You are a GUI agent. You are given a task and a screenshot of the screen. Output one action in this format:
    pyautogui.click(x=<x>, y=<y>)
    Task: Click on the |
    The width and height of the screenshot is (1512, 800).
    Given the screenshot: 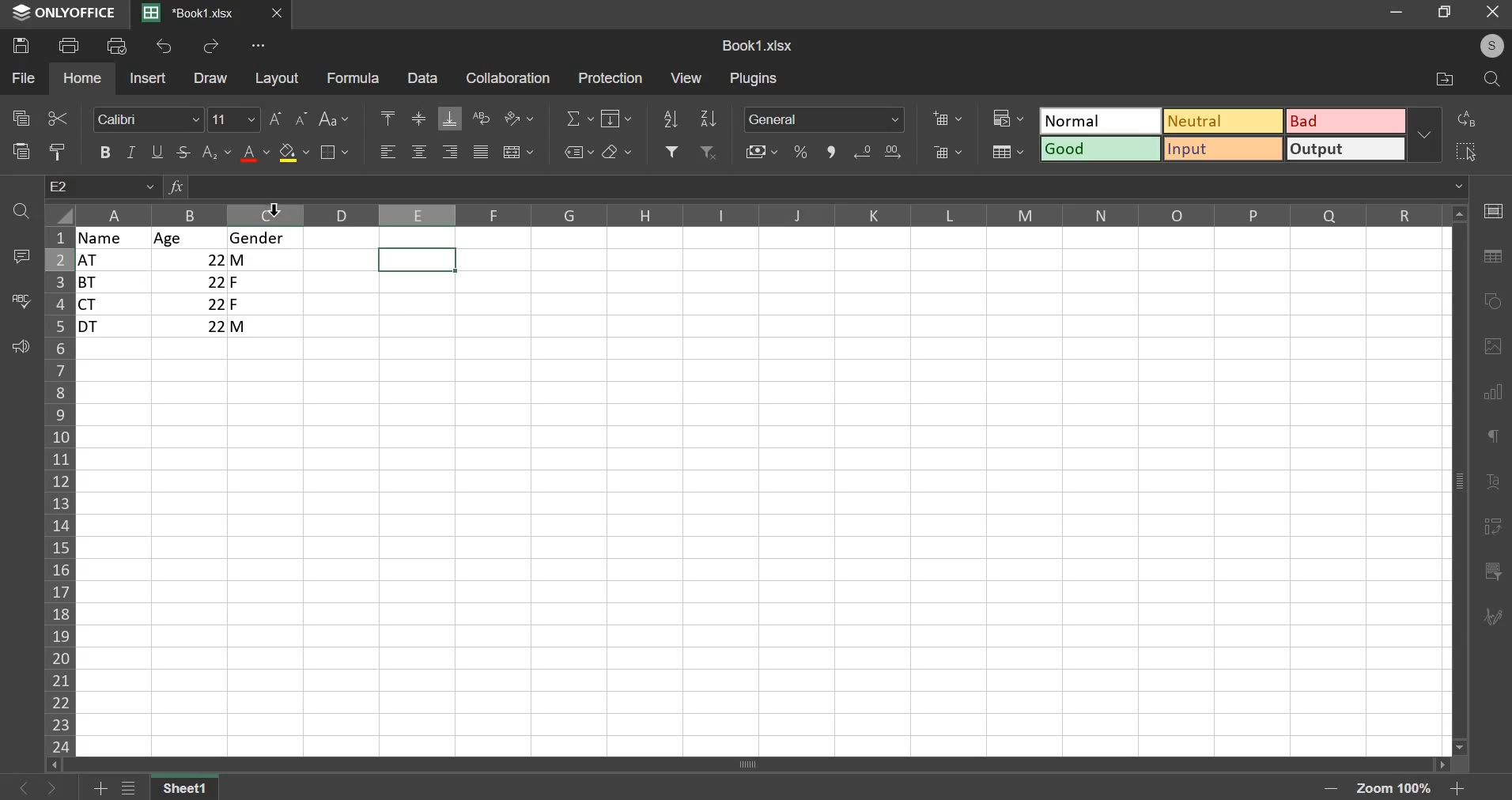 What is the action you would take?
    pyautogui.click(x=192, y=326)
    